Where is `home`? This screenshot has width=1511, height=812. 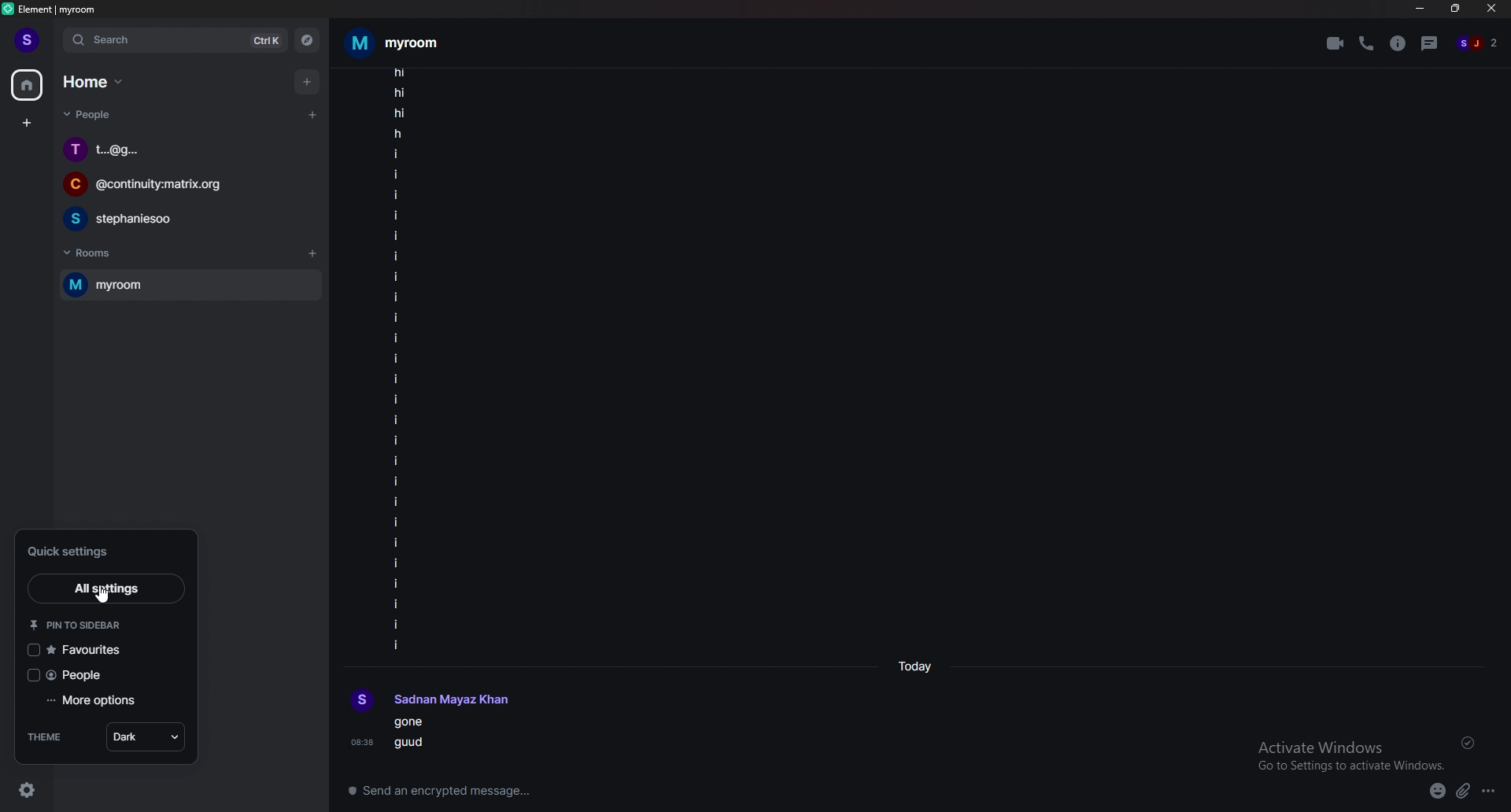 home is located at coordinates (95, 82).